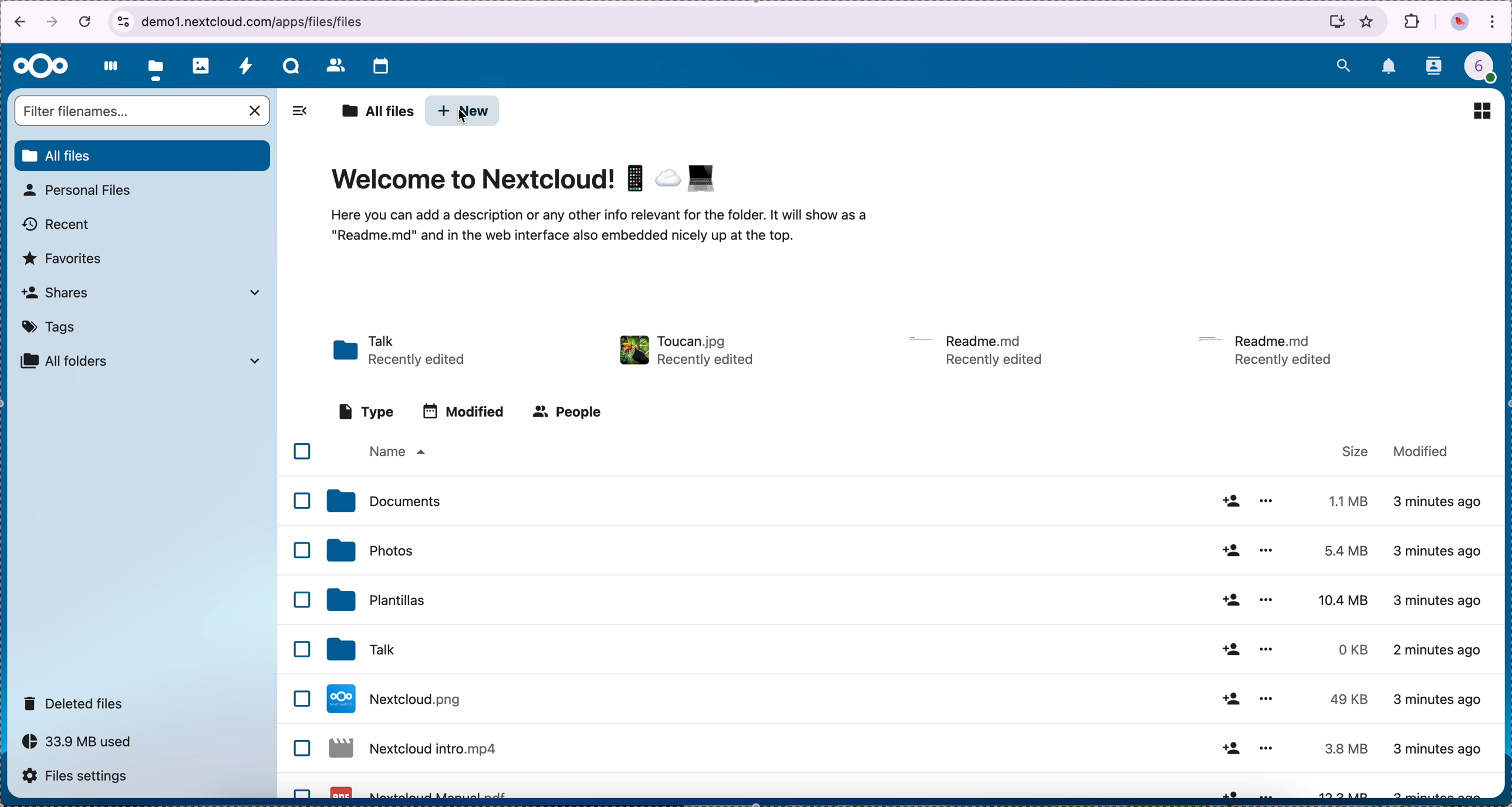 The width and height of the screenshot is (1512, 807). I want to click on cancel, so click(87, 21).